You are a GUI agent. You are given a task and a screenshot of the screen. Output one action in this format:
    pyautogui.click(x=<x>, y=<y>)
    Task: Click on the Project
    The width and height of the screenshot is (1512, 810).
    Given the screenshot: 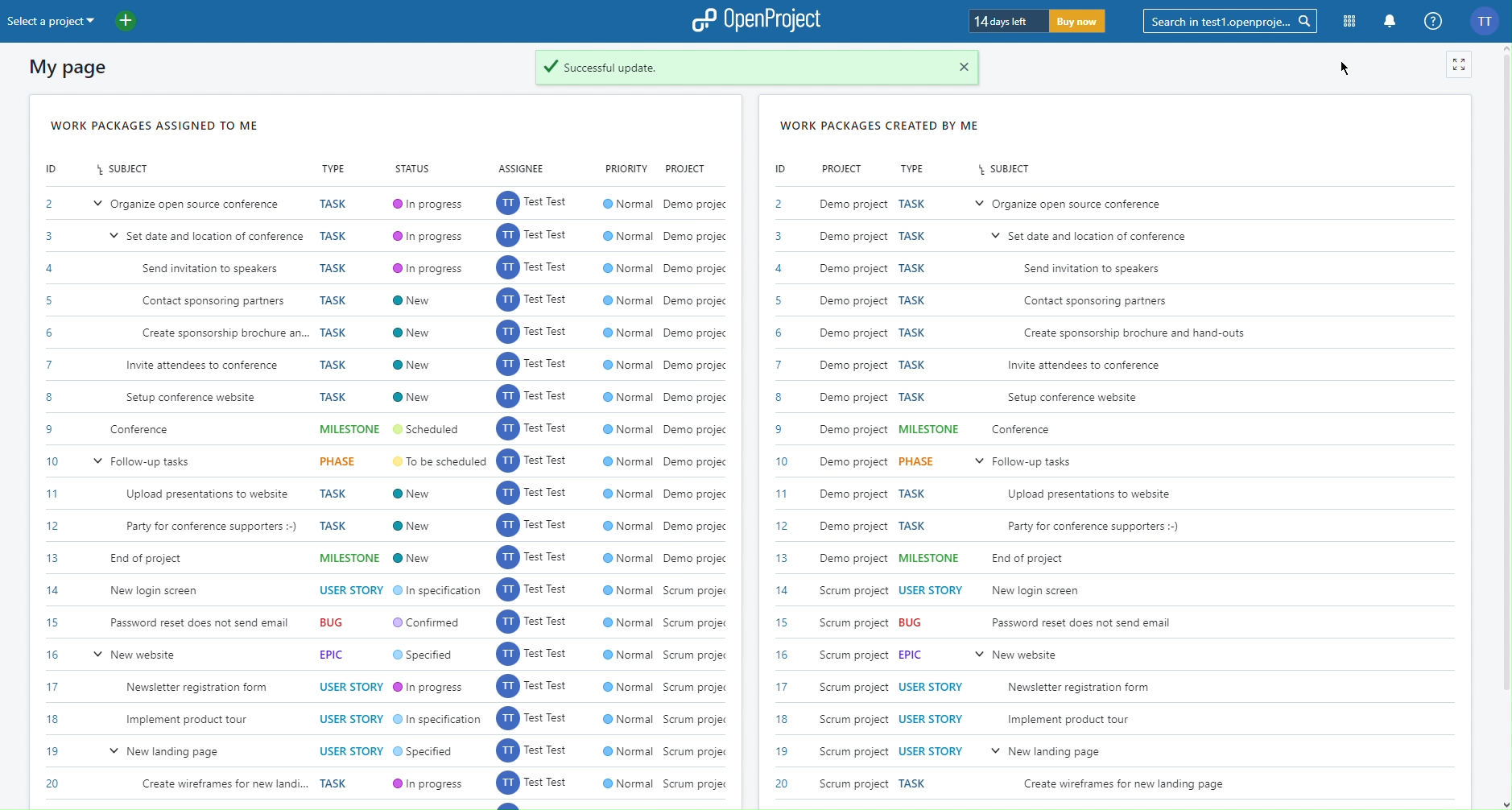 What is the action you would take?
    pyautogui.click(x=688, y=167)
    